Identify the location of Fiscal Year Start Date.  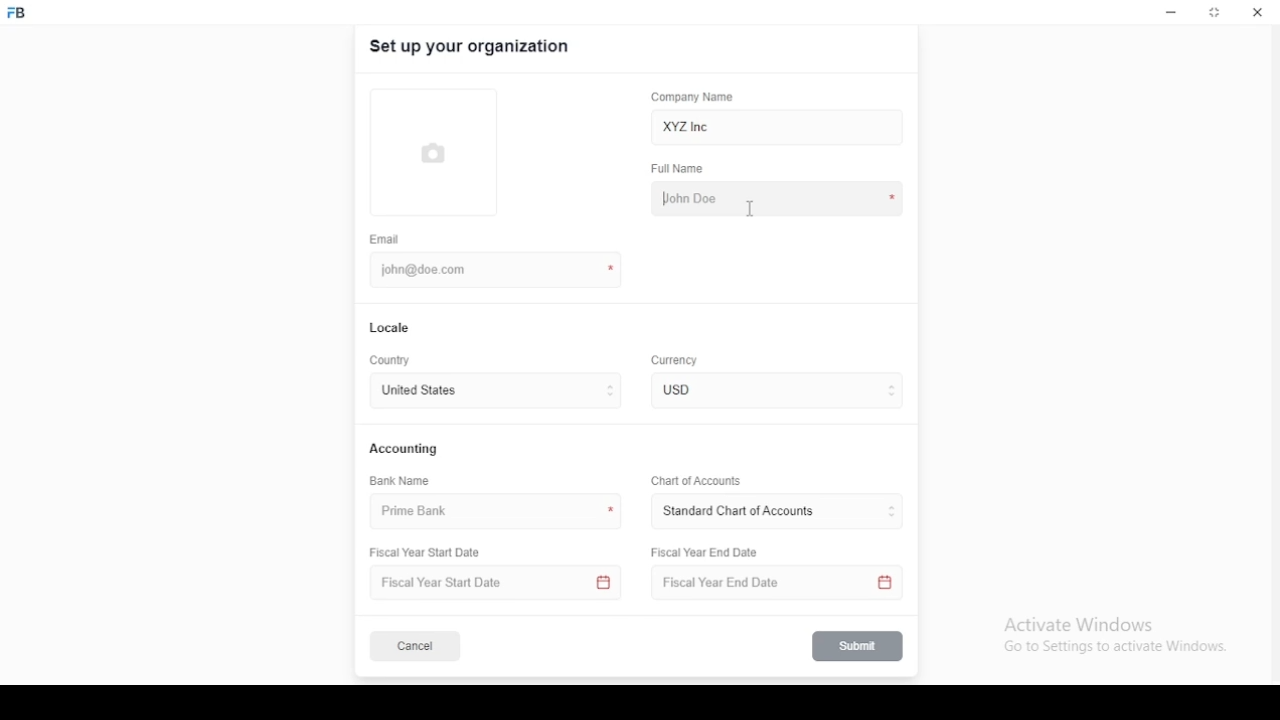
(432, 553).